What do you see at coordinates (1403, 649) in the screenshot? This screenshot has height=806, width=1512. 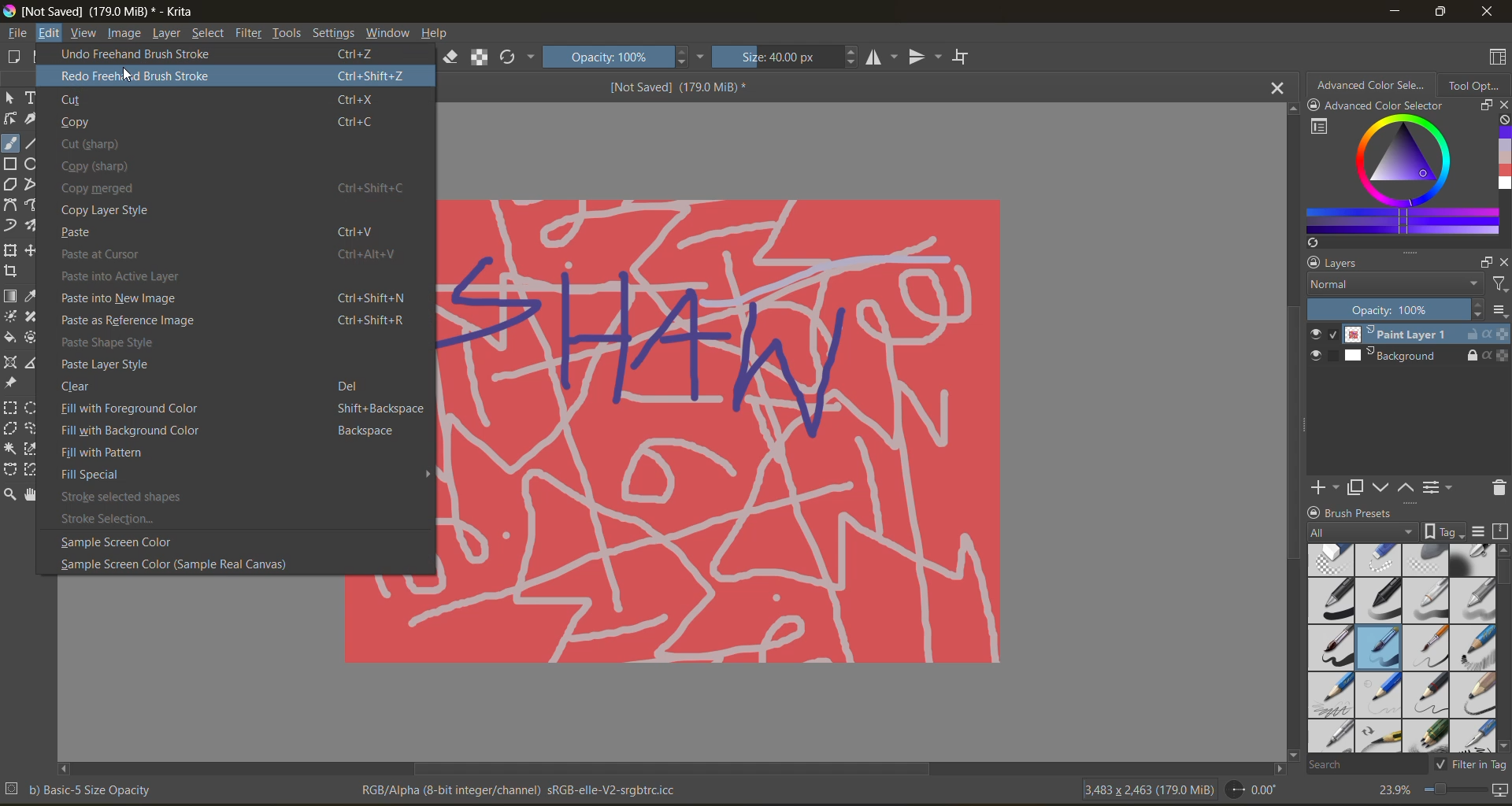 I see `brush presets` at bounding box center [1403, 649].